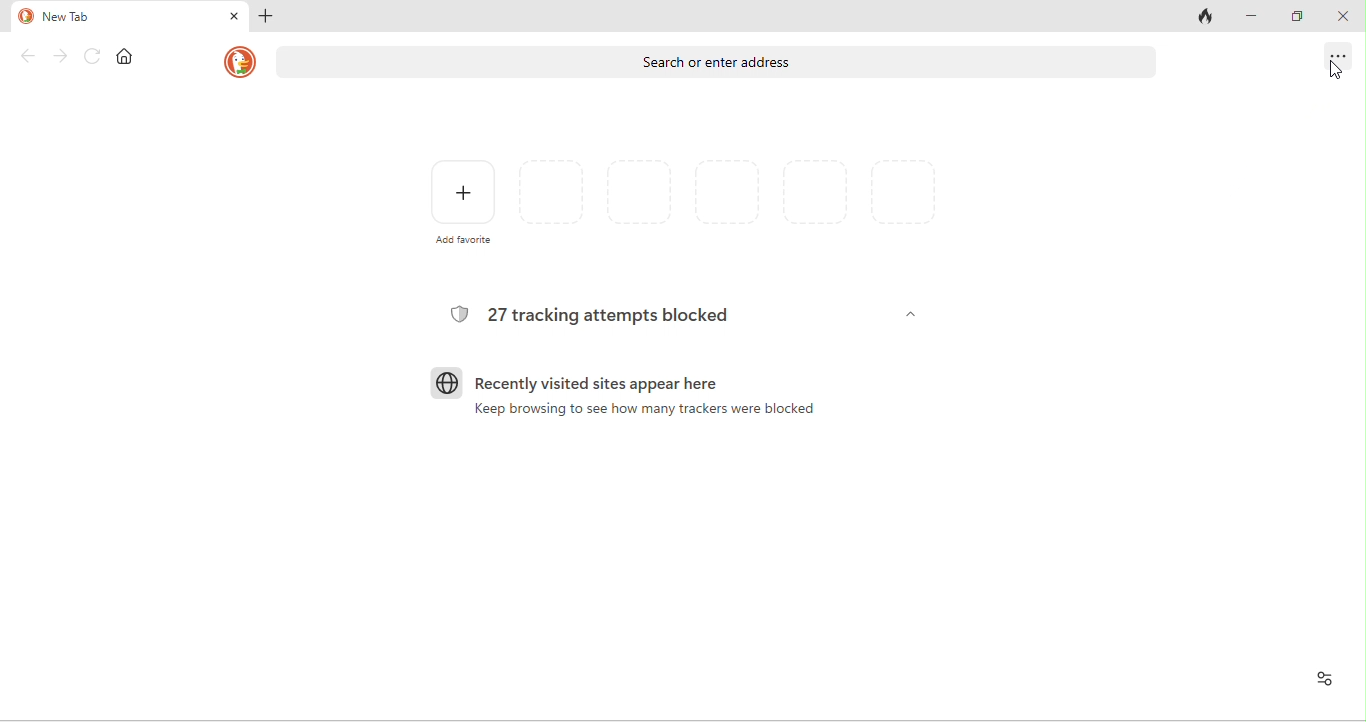  I want to click on maximize, so click(1296, 16).